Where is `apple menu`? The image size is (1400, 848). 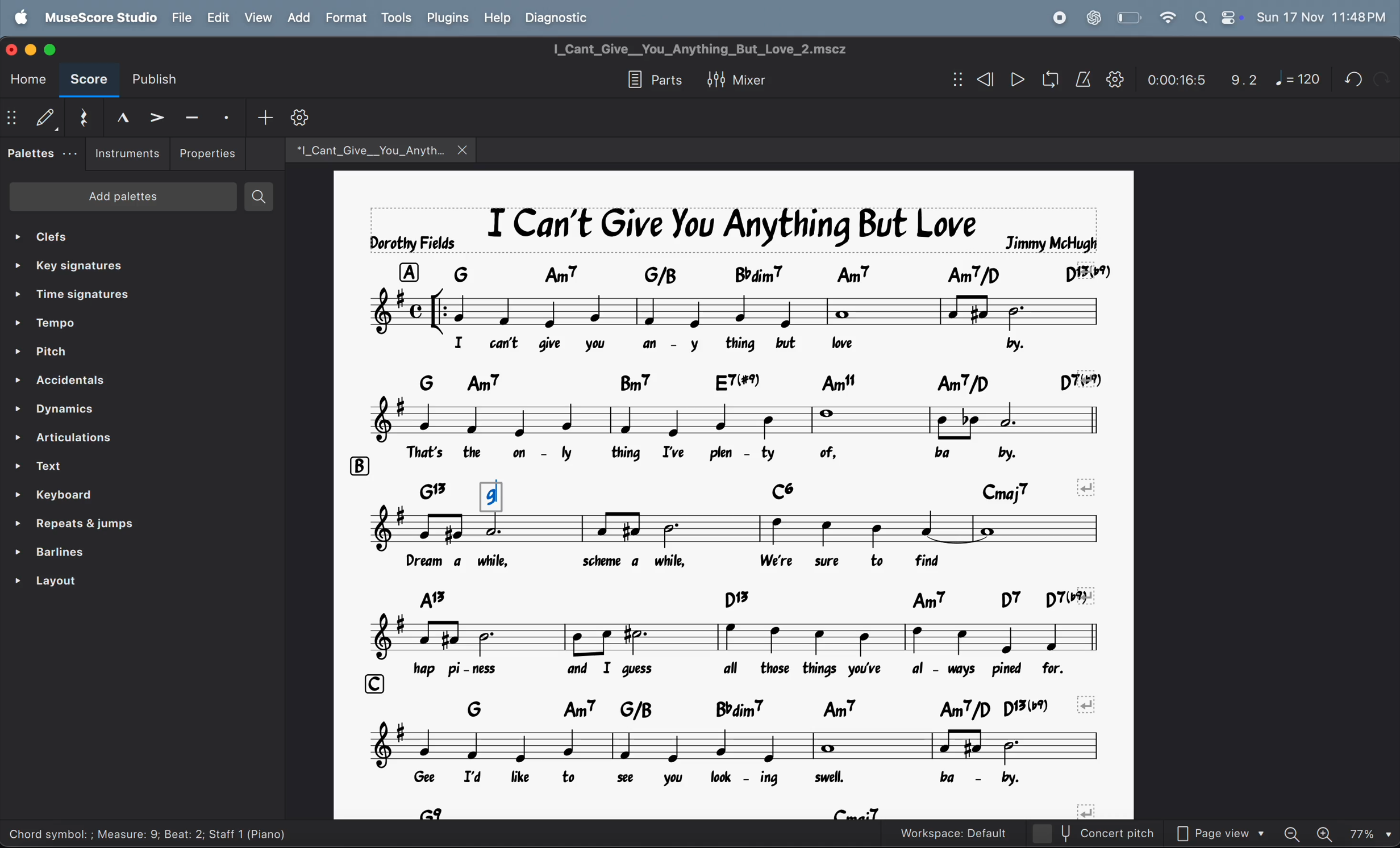
apple menu is located at coordinates (20, 17).